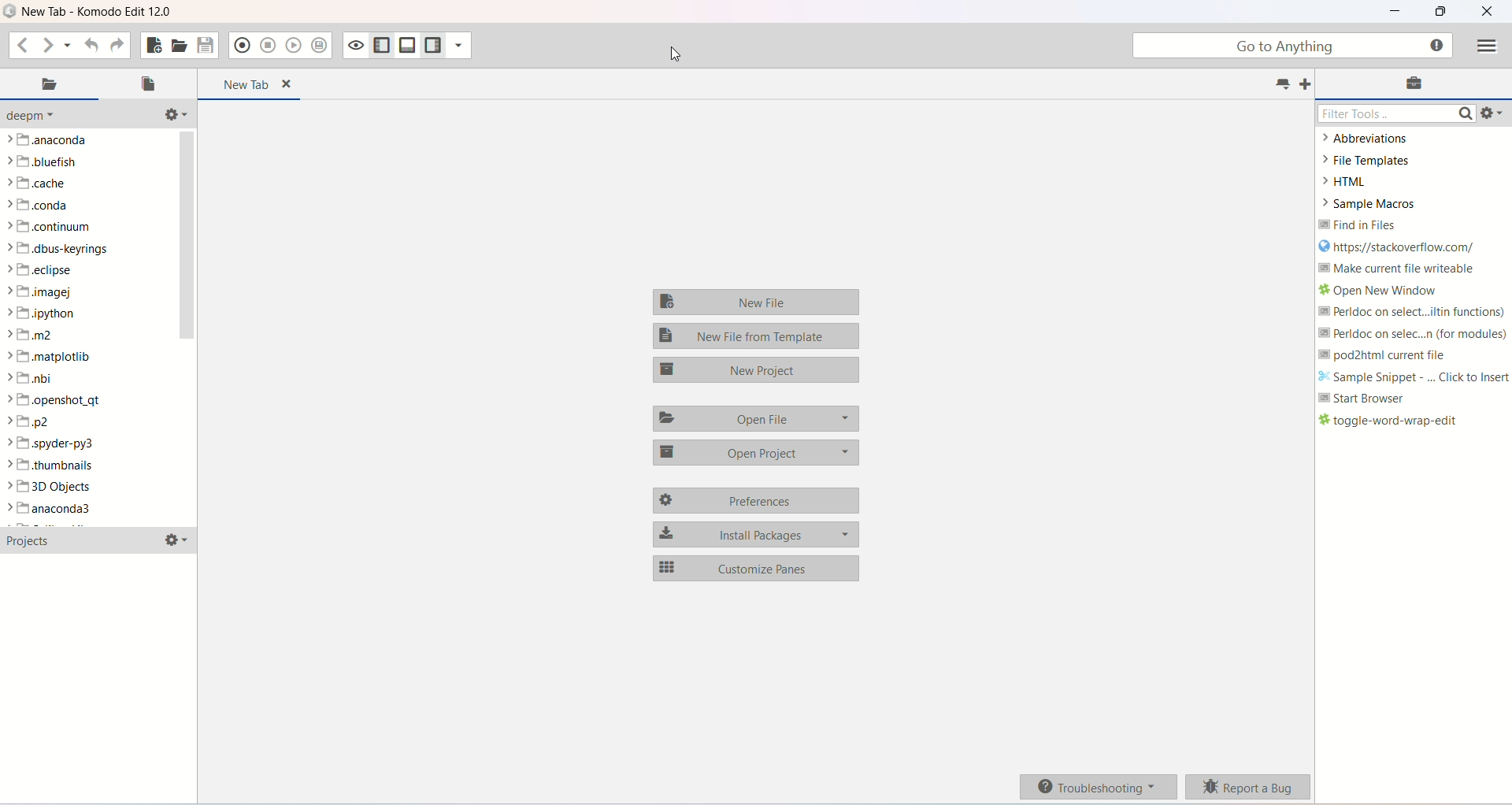 The height and width of the screenshot is (805, 1512). What do you see at coordinates (42, 270) in the screenshot?
I see `eclipse` at bounding box center [42, 270].